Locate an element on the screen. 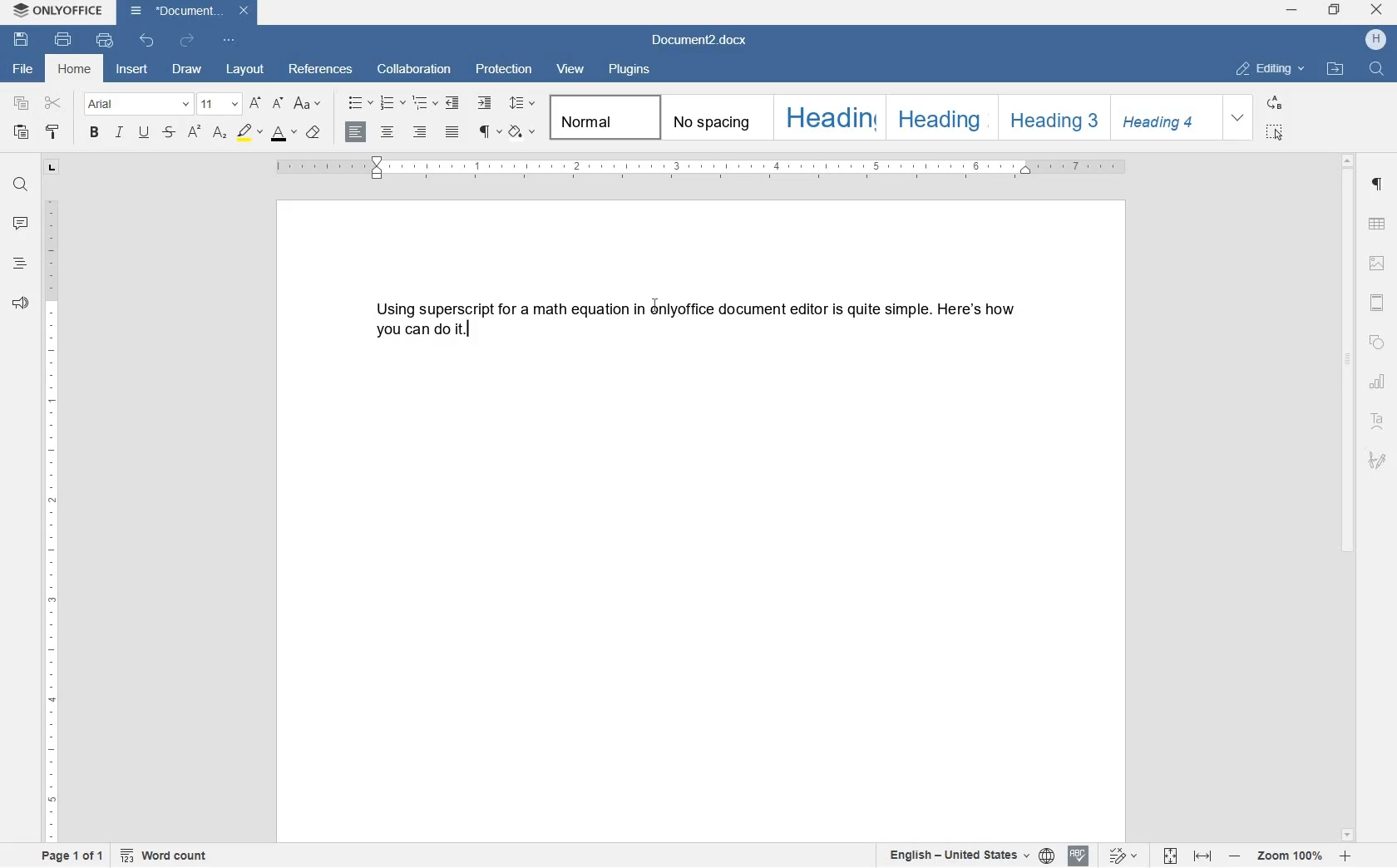 The height and width of the screenshot is (868, 1397). tab is located at coordinates (52, 169).